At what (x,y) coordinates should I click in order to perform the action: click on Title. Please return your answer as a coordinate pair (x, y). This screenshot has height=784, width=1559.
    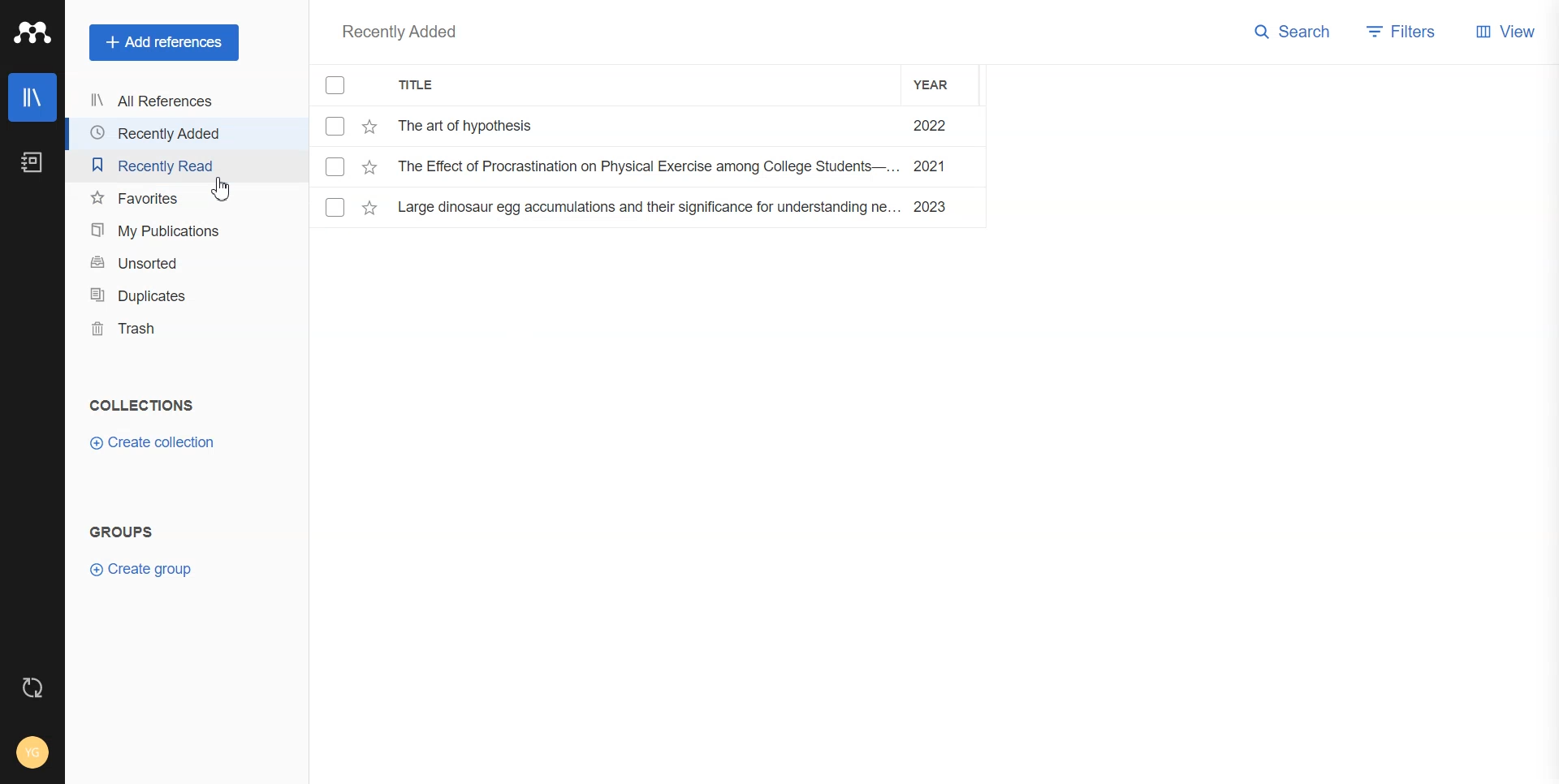
    Looking at the image, I should click on (434, 88).